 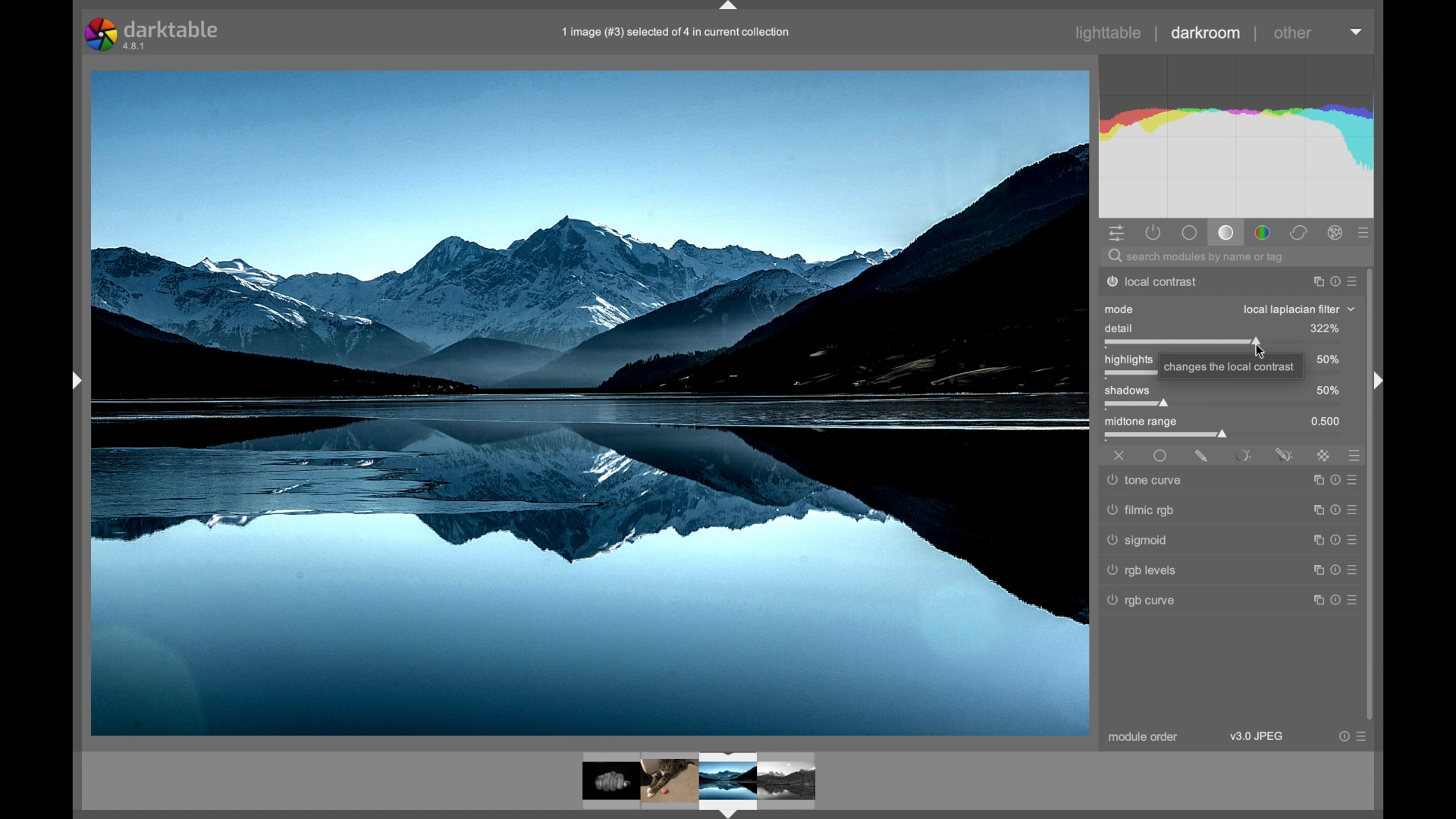 What do you see at coordinates (1354, 736) in the screenshot?
I see `more options` at bounding box center [1354, 736].